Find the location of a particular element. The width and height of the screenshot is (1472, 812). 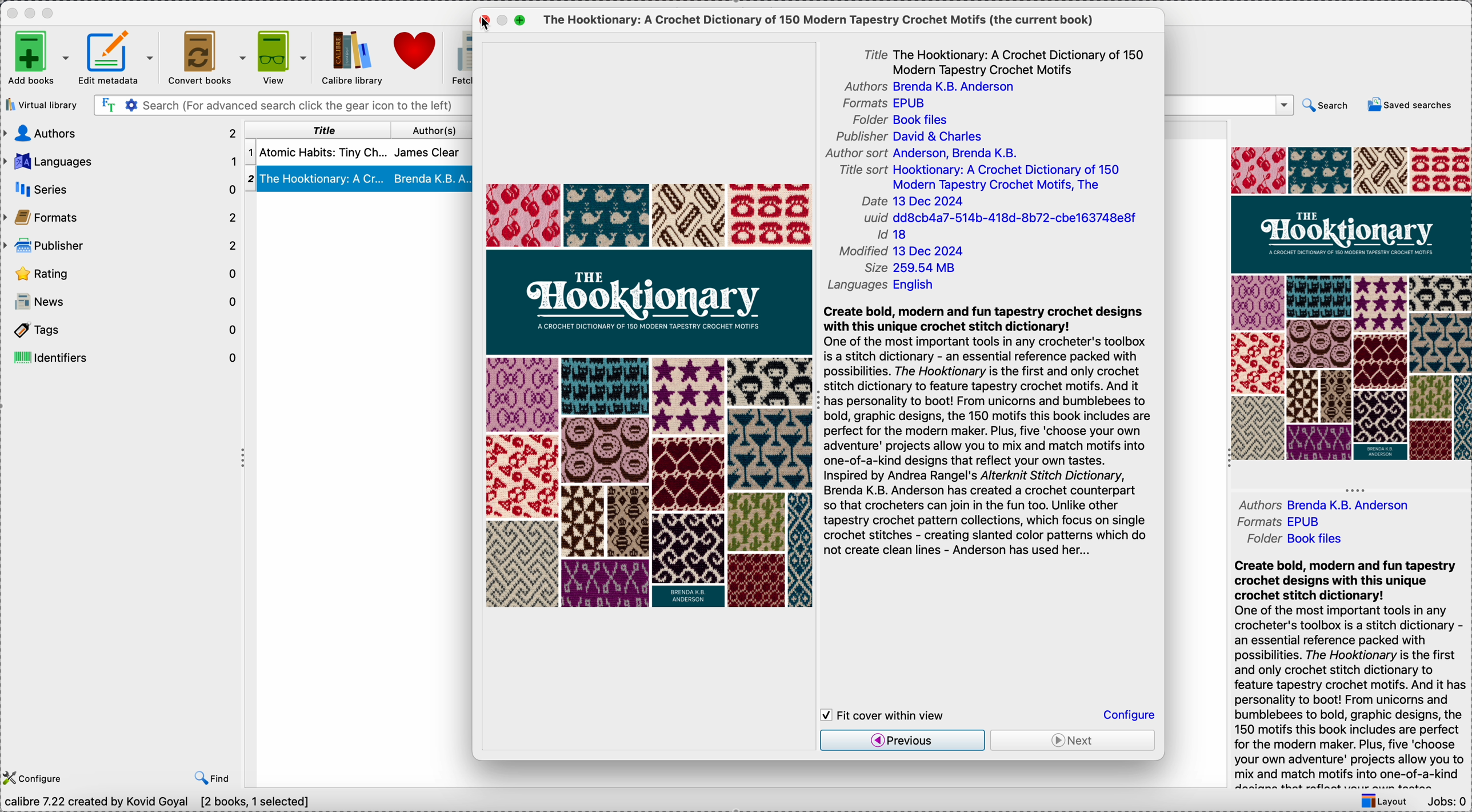

convert books is located at coordinates (210, 58).